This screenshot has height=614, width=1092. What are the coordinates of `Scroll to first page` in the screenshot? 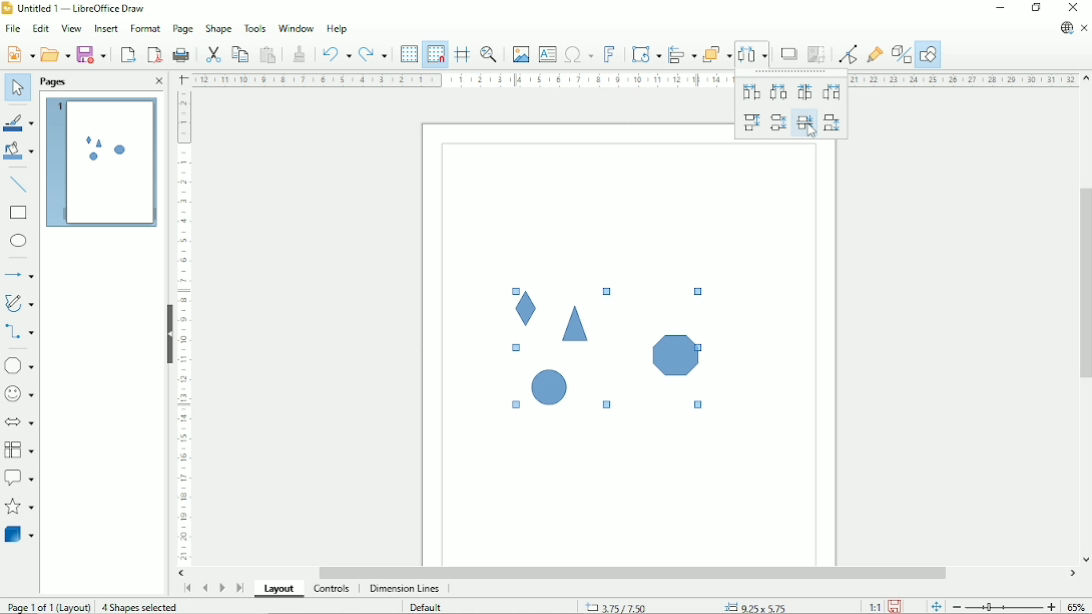 It's located at (187, 588).